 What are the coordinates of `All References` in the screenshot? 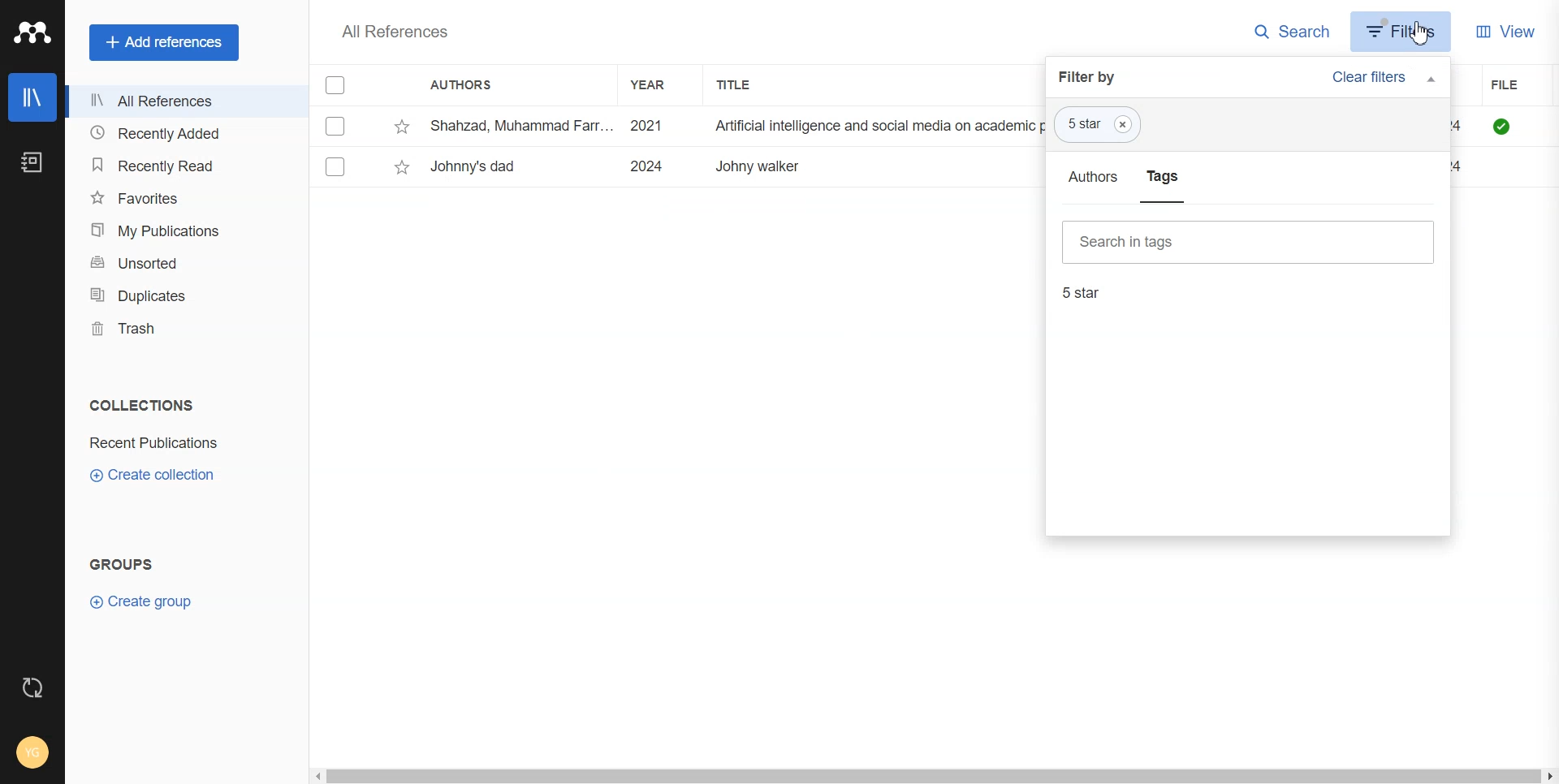 It's located at (181, 101).